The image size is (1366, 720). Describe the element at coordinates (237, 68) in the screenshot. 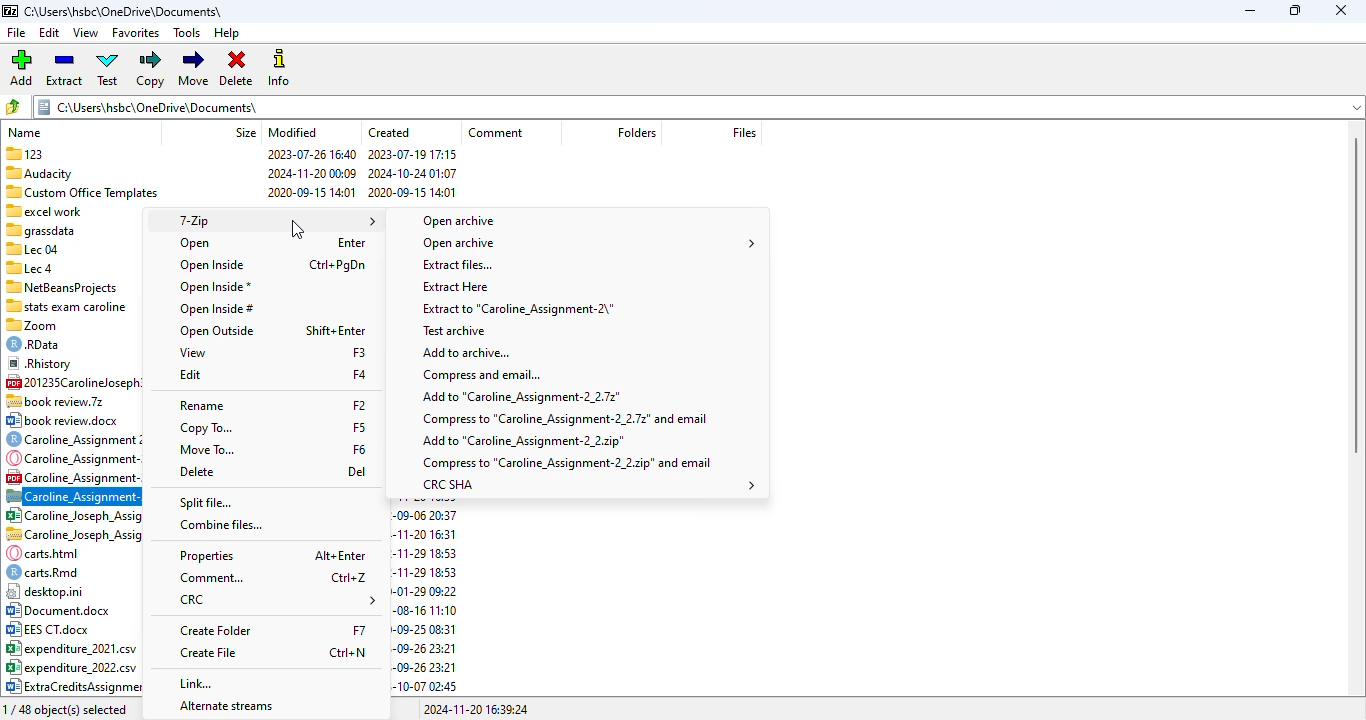

I see `delete` at that location.